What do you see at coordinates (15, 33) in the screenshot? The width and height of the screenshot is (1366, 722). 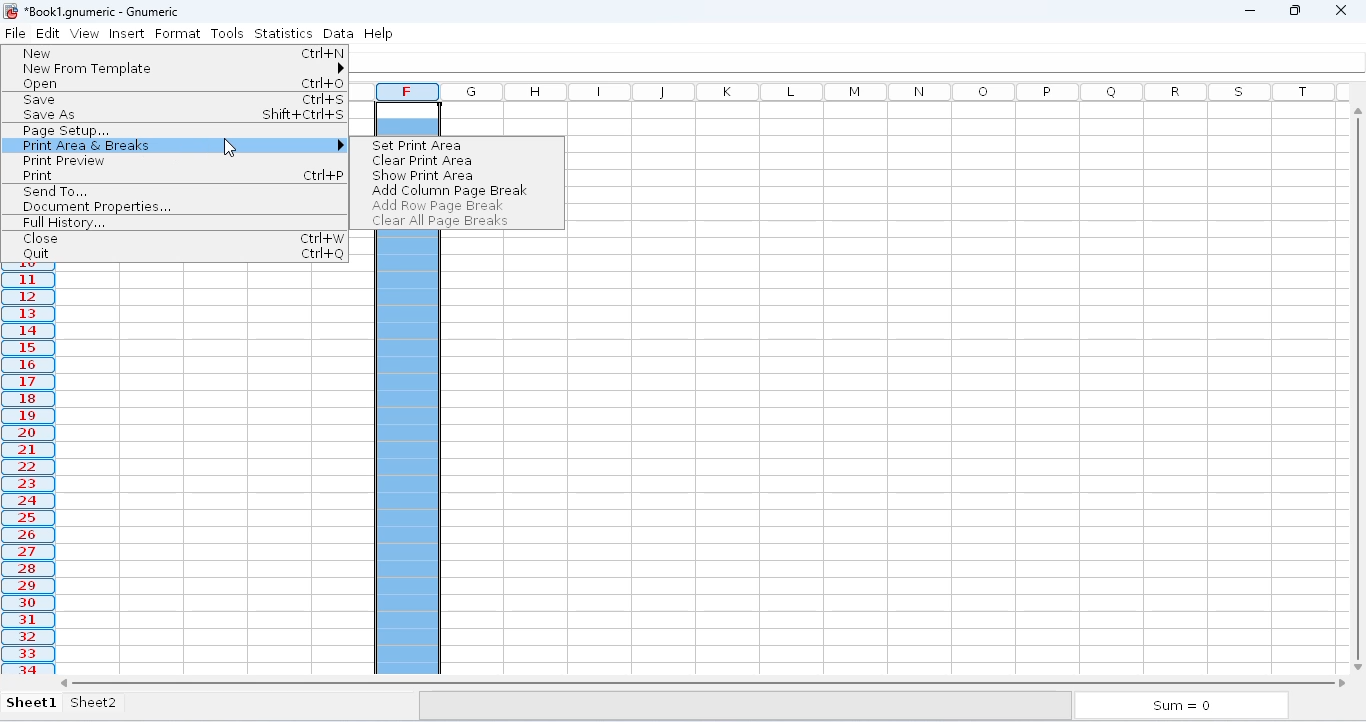 I see `file` at bounding box center [15, 33].